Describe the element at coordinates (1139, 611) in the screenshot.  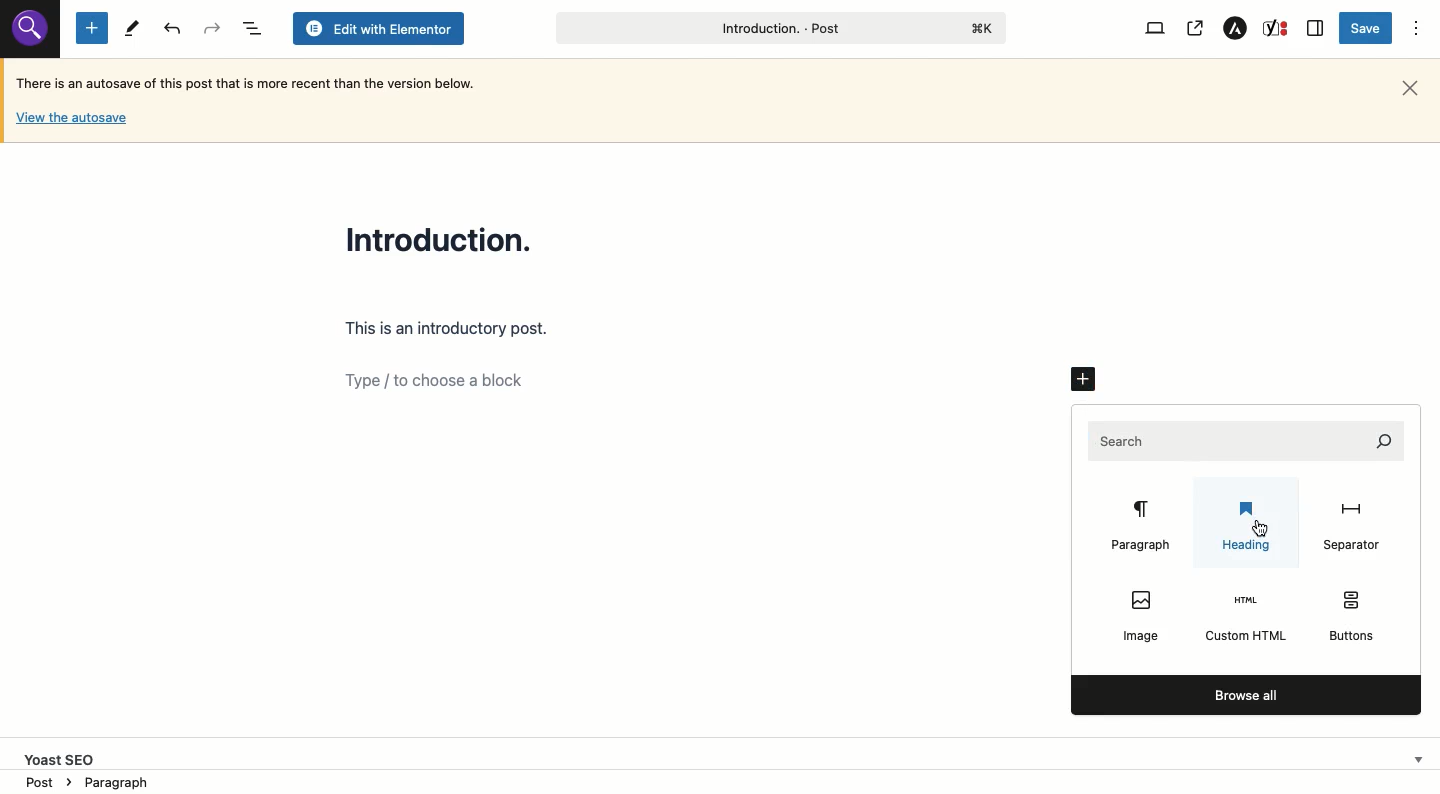
I see `Image` at that location.